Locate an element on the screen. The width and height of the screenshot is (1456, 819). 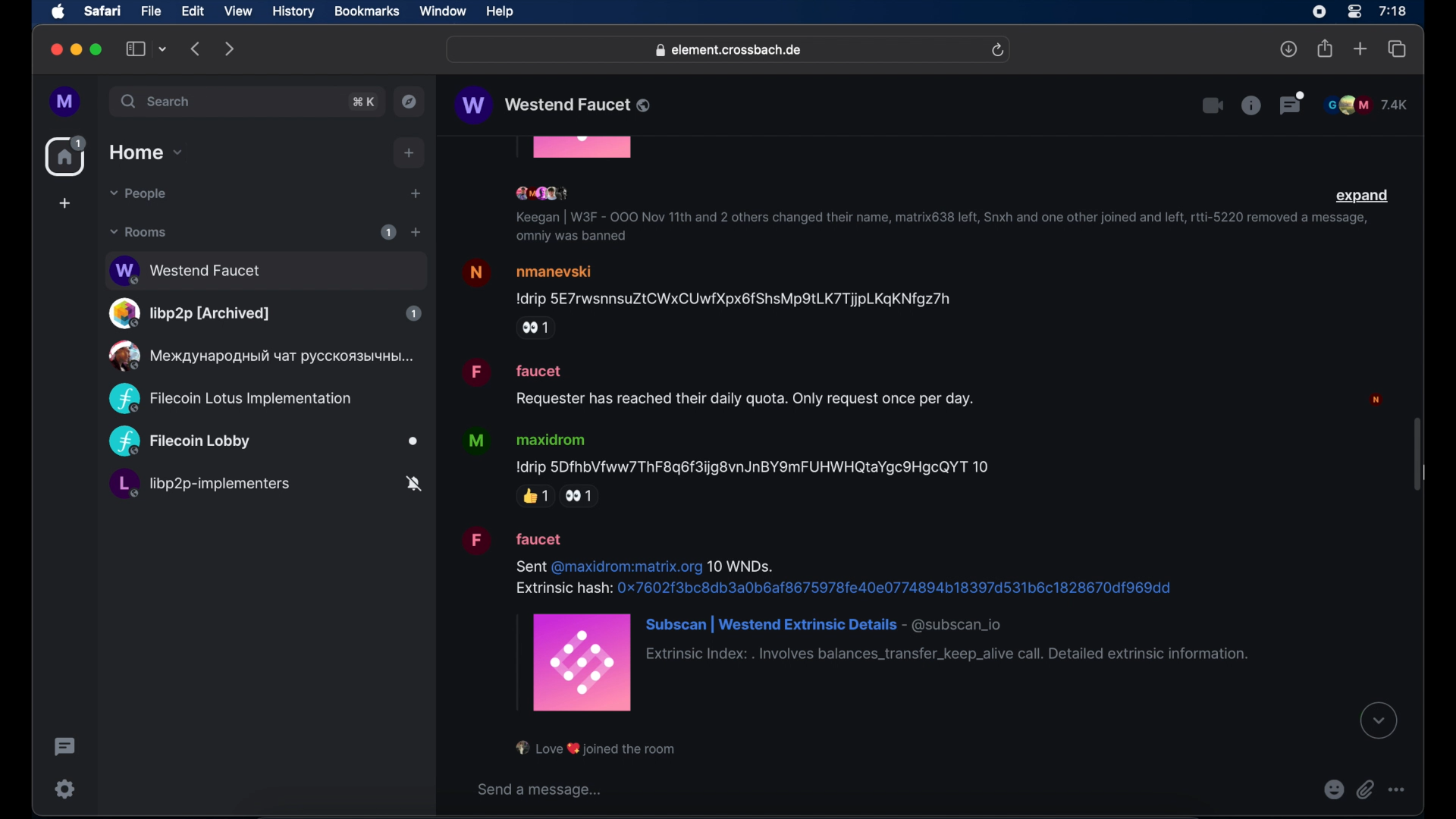
profile is located at coordinates (66, 102).